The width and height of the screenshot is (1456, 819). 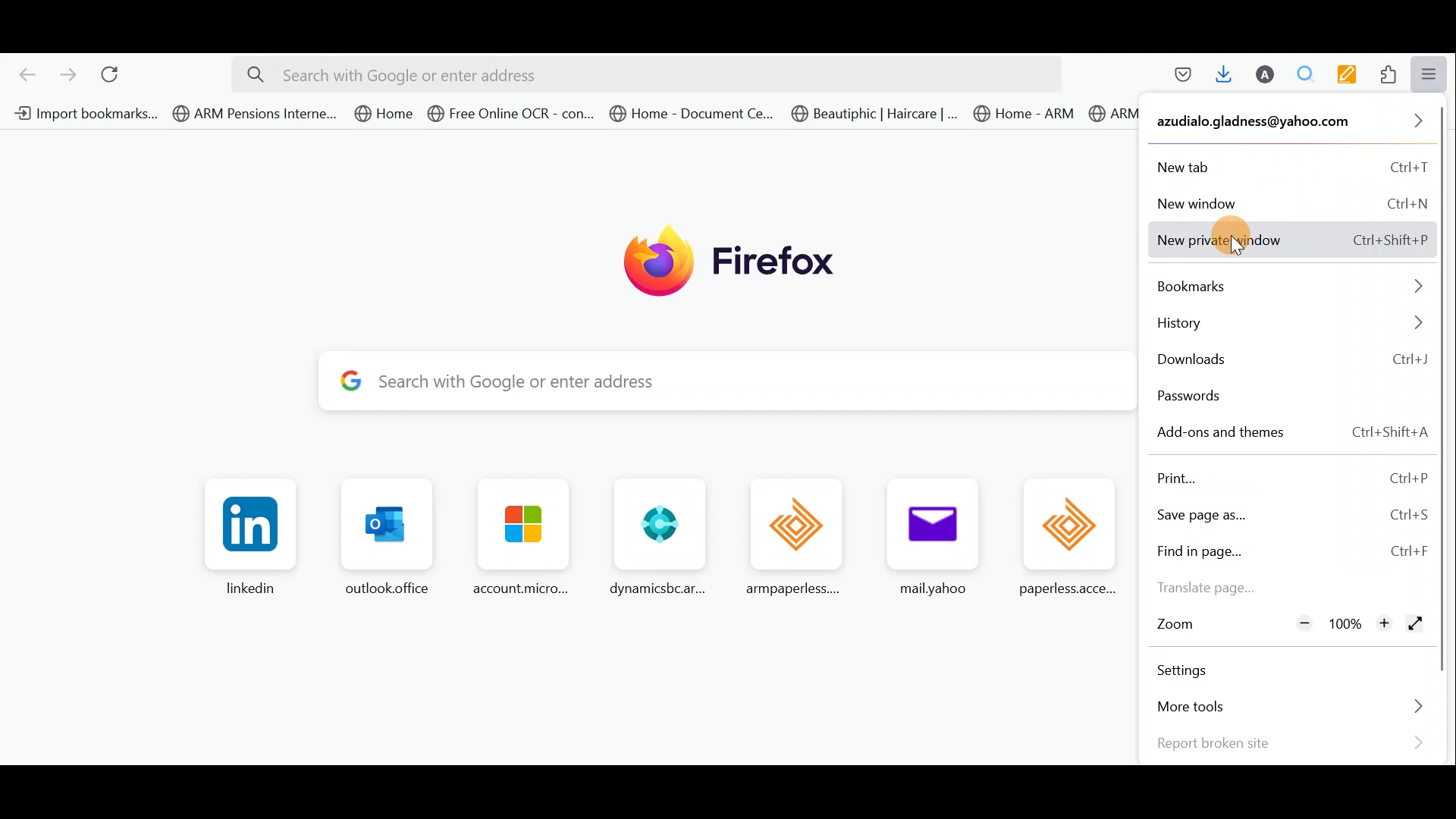 What do you see at coordinates (1291, 201) in the screenshot?
I see `New window` at bounding box center [1291, 201].